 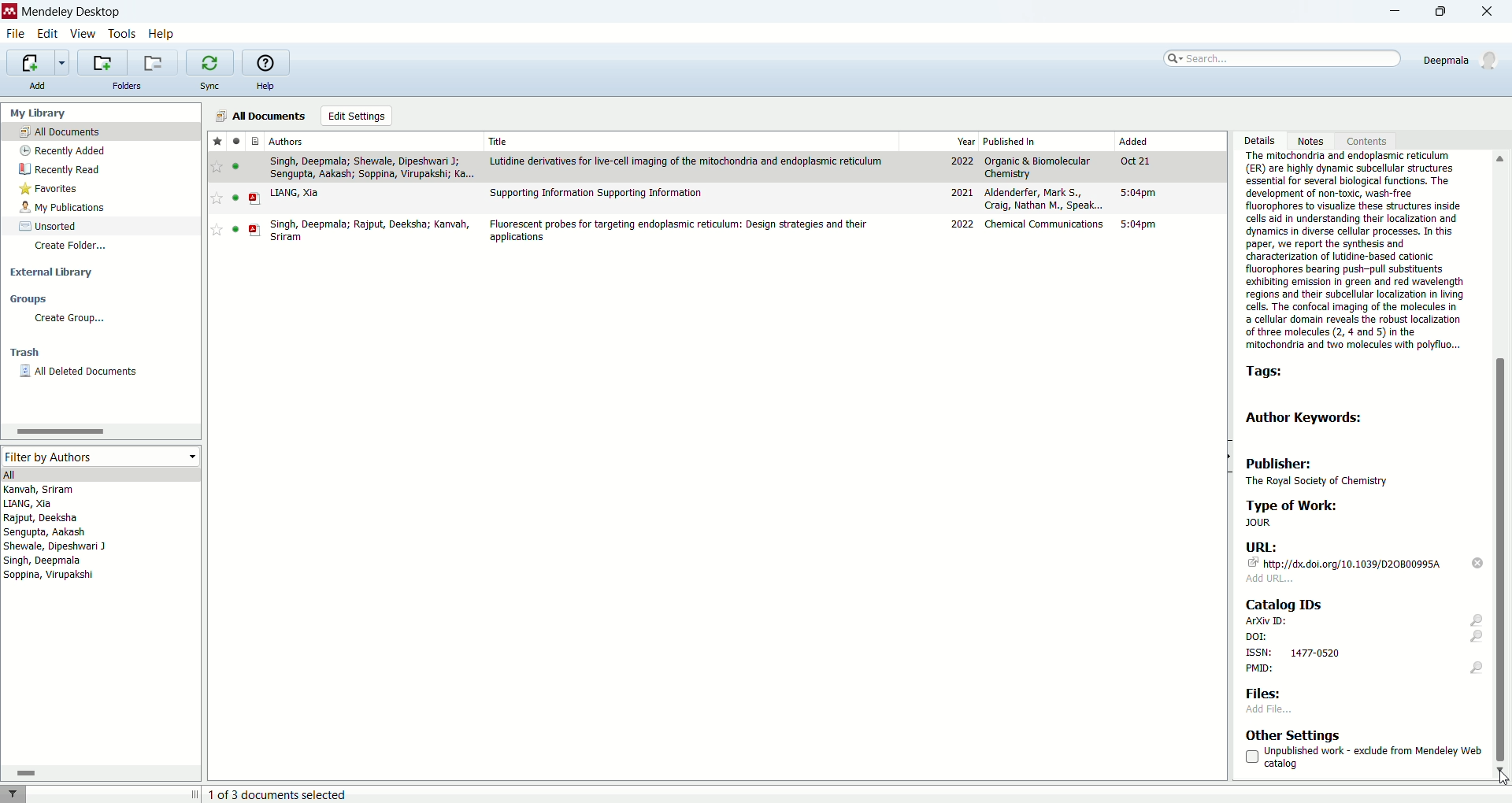 I want to click on edit settings, so click(x=358, y=116).